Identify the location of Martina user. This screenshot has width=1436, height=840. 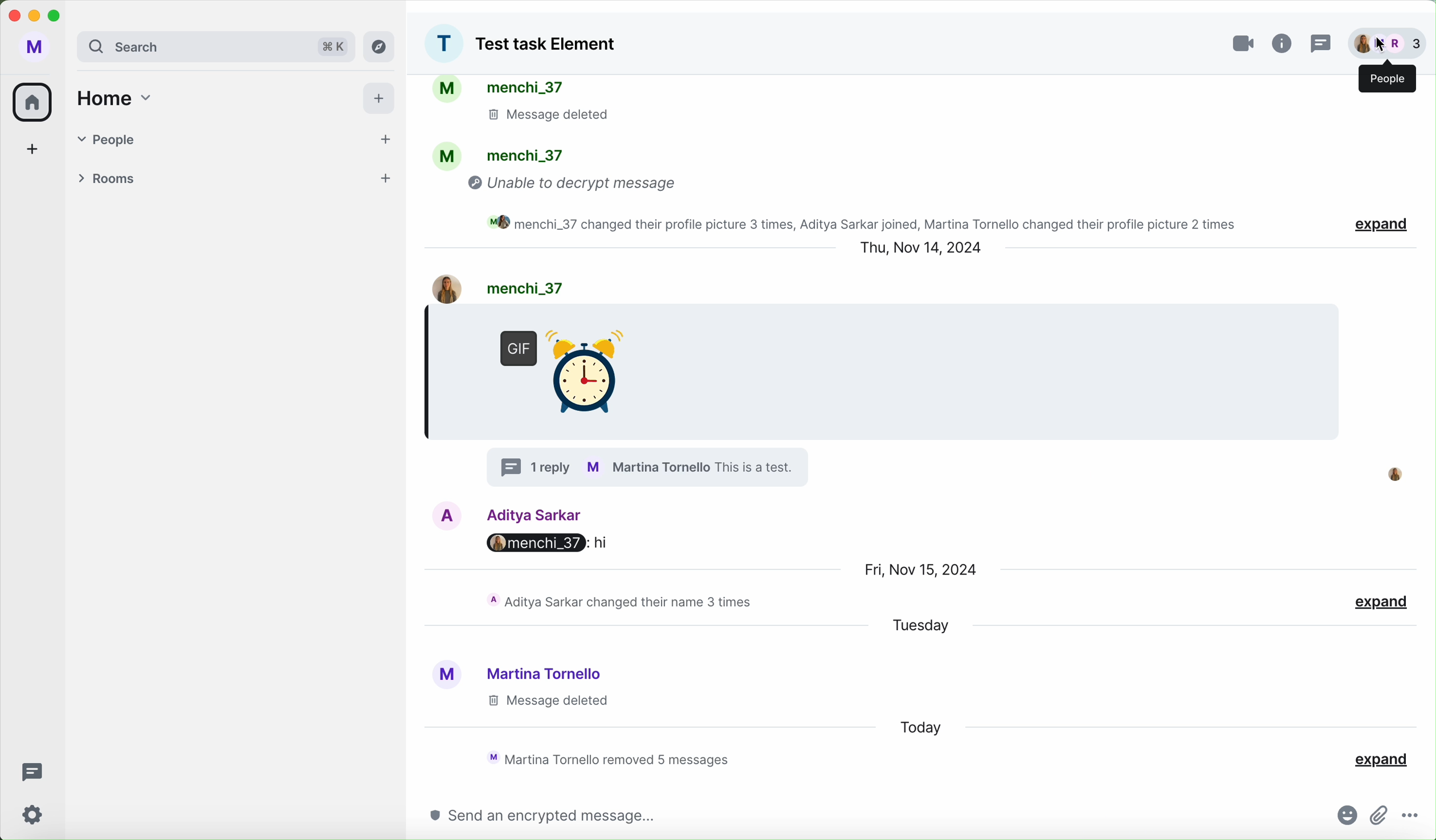
(546, 673).